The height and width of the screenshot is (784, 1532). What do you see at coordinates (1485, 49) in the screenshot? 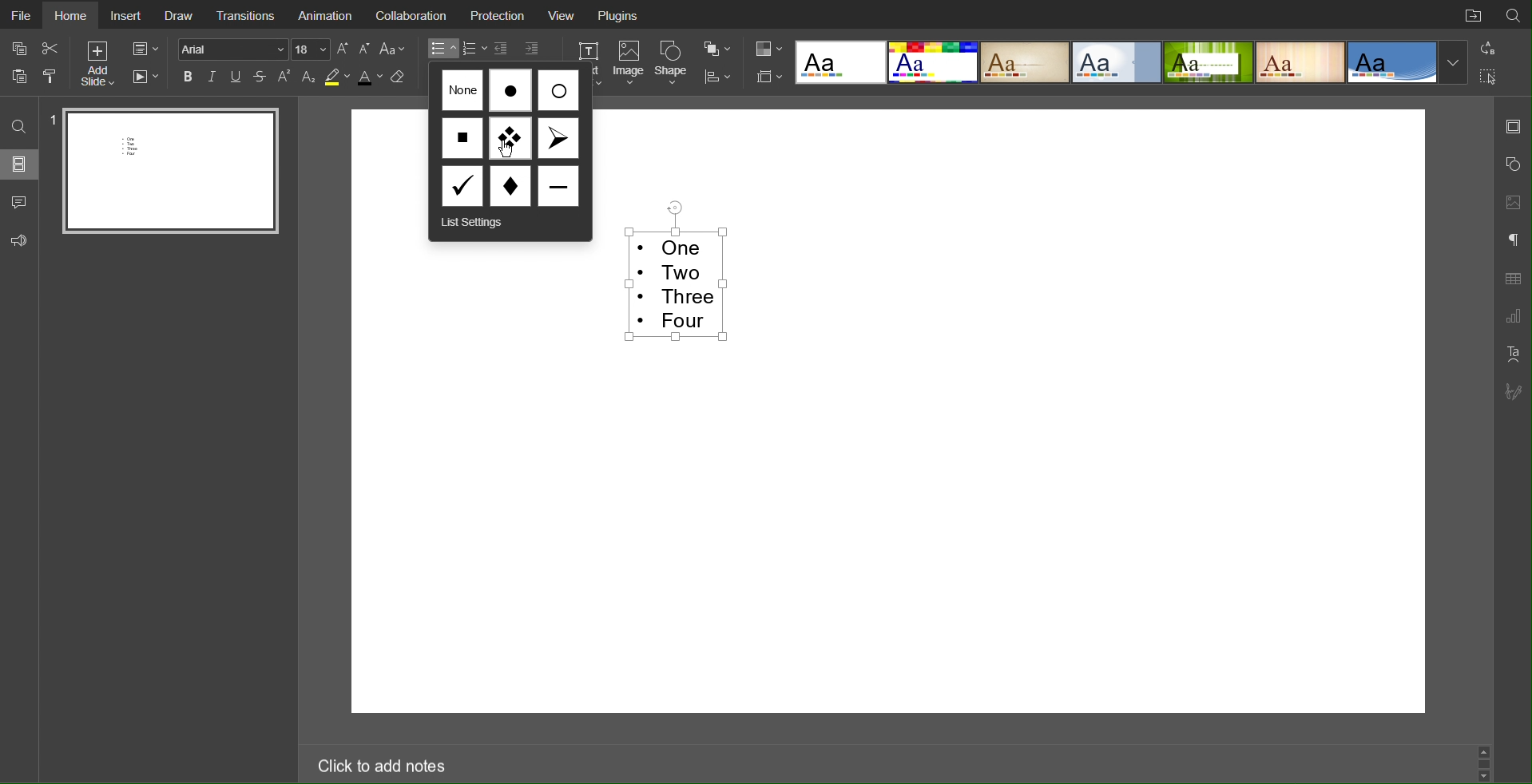
I see `Replace` at bounding box center [1485, 49].